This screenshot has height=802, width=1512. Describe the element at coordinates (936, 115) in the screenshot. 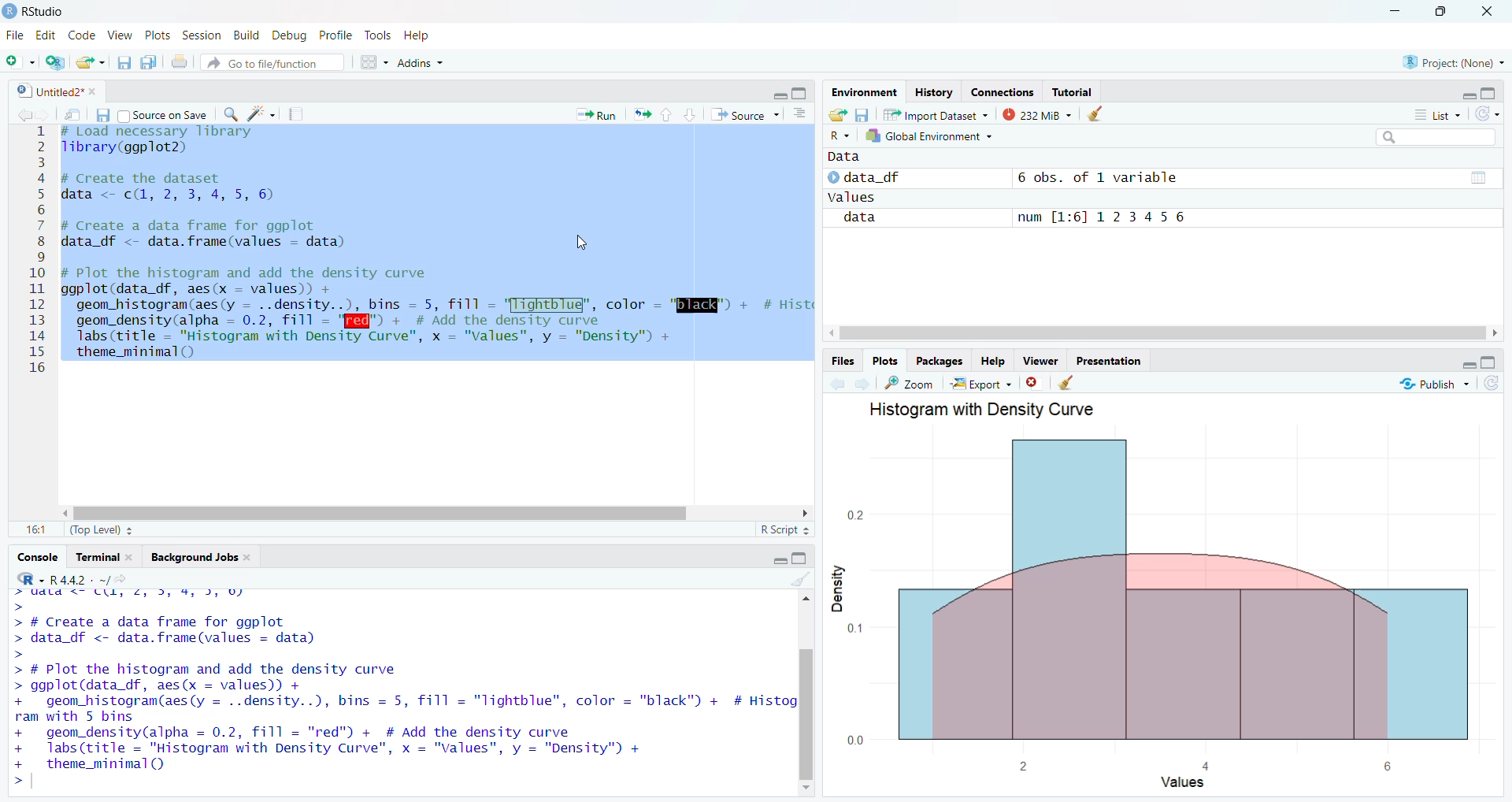

I see `Import Dataset` at that location.